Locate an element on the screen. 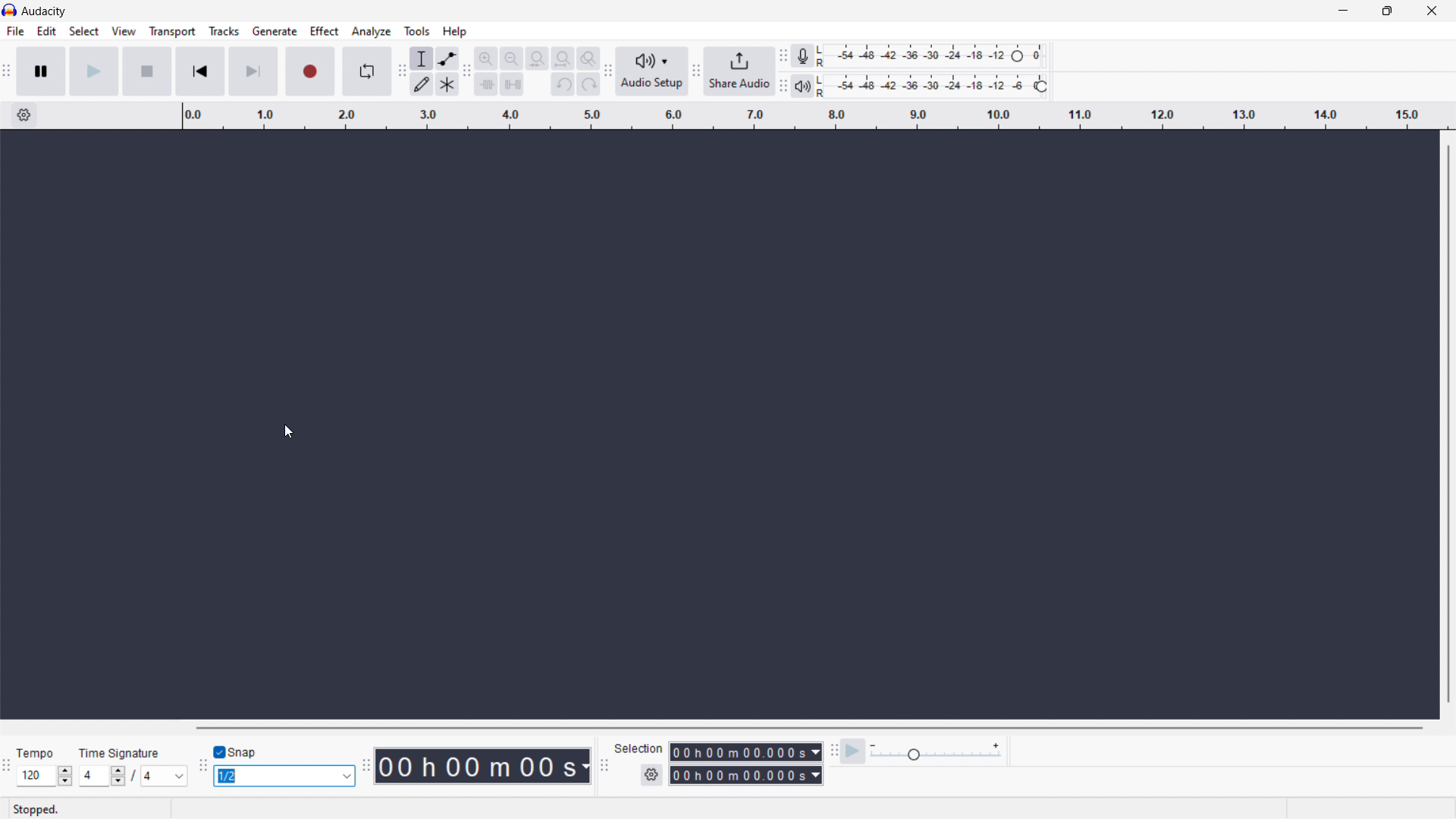  recording meter is located at coordinates (802, 55).